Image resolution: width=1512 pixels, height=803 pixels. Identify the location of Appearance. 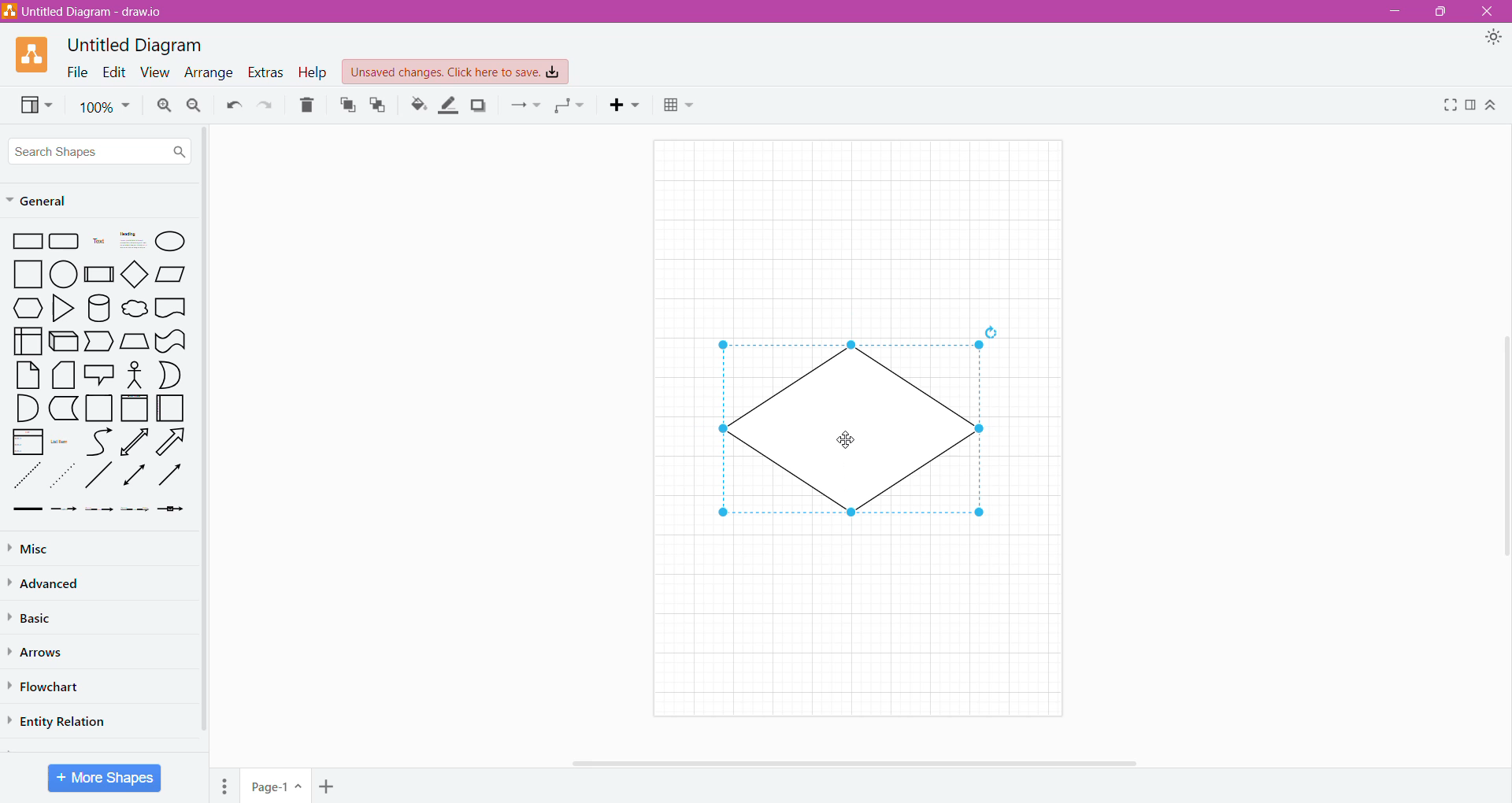
(1496, 39).